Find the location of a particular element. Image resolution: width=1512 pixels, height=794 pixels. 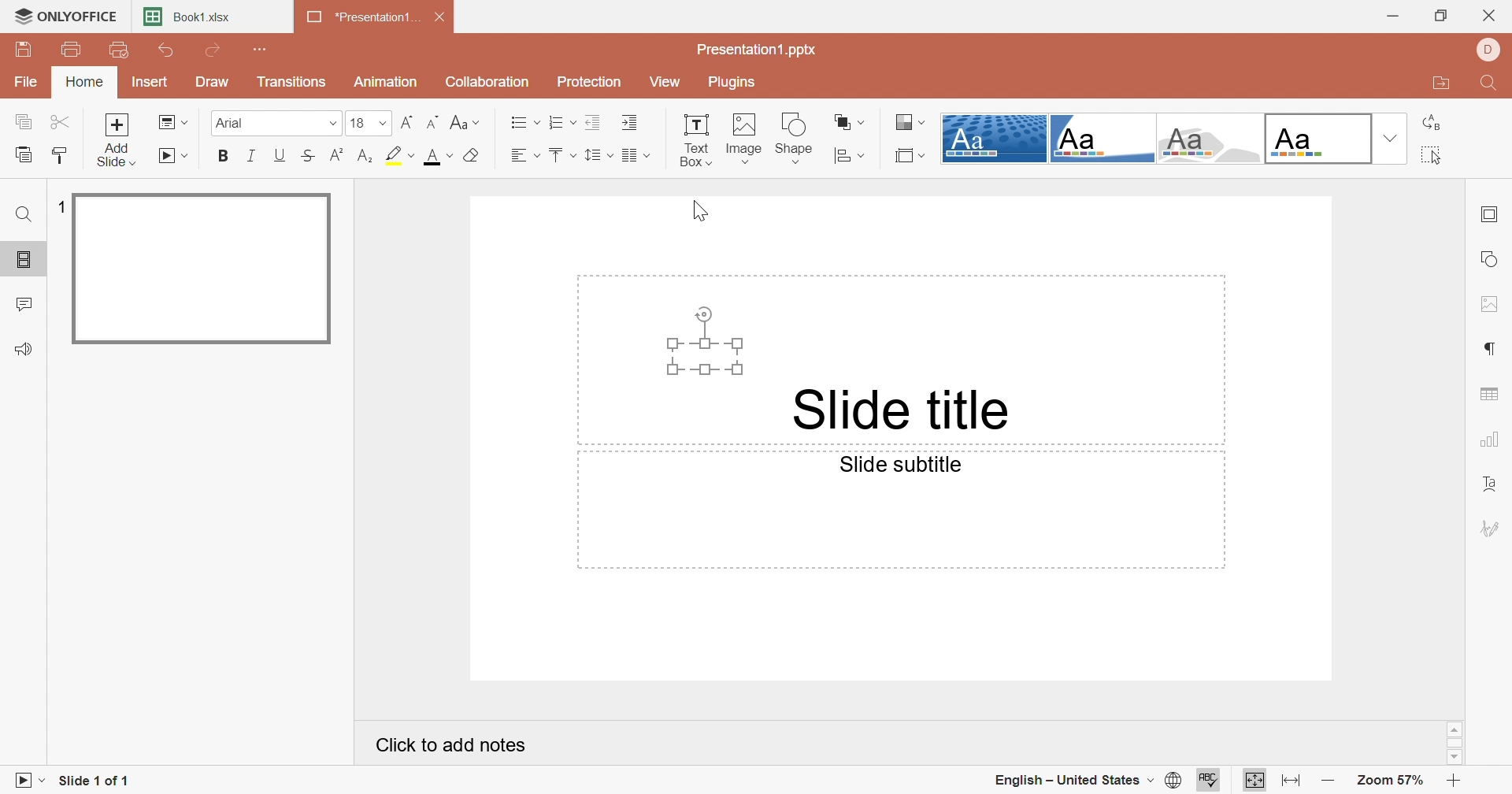

Presentation1... is located at coordinates (360, 16).